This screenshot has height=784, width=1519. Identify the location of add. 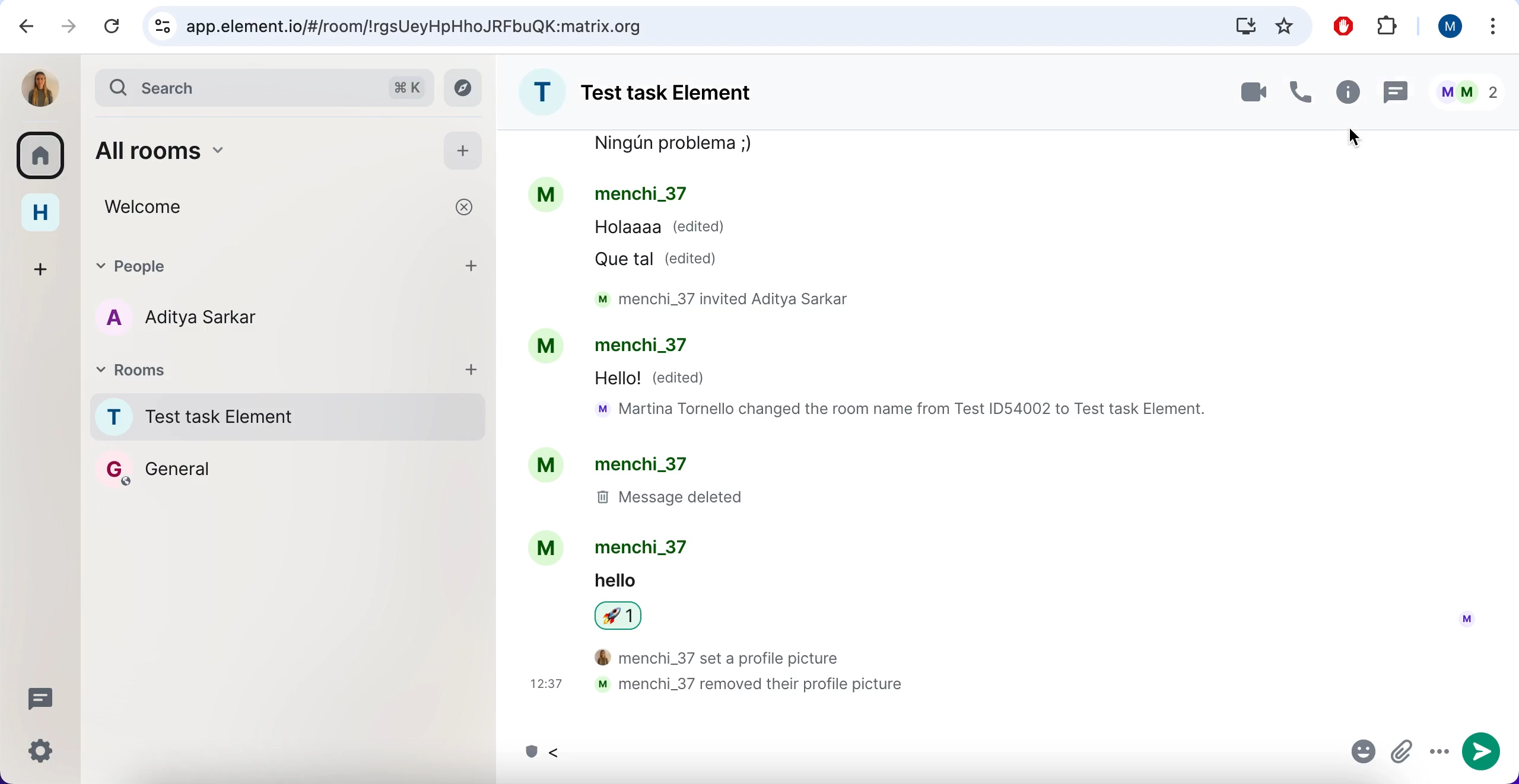
(478, 374).